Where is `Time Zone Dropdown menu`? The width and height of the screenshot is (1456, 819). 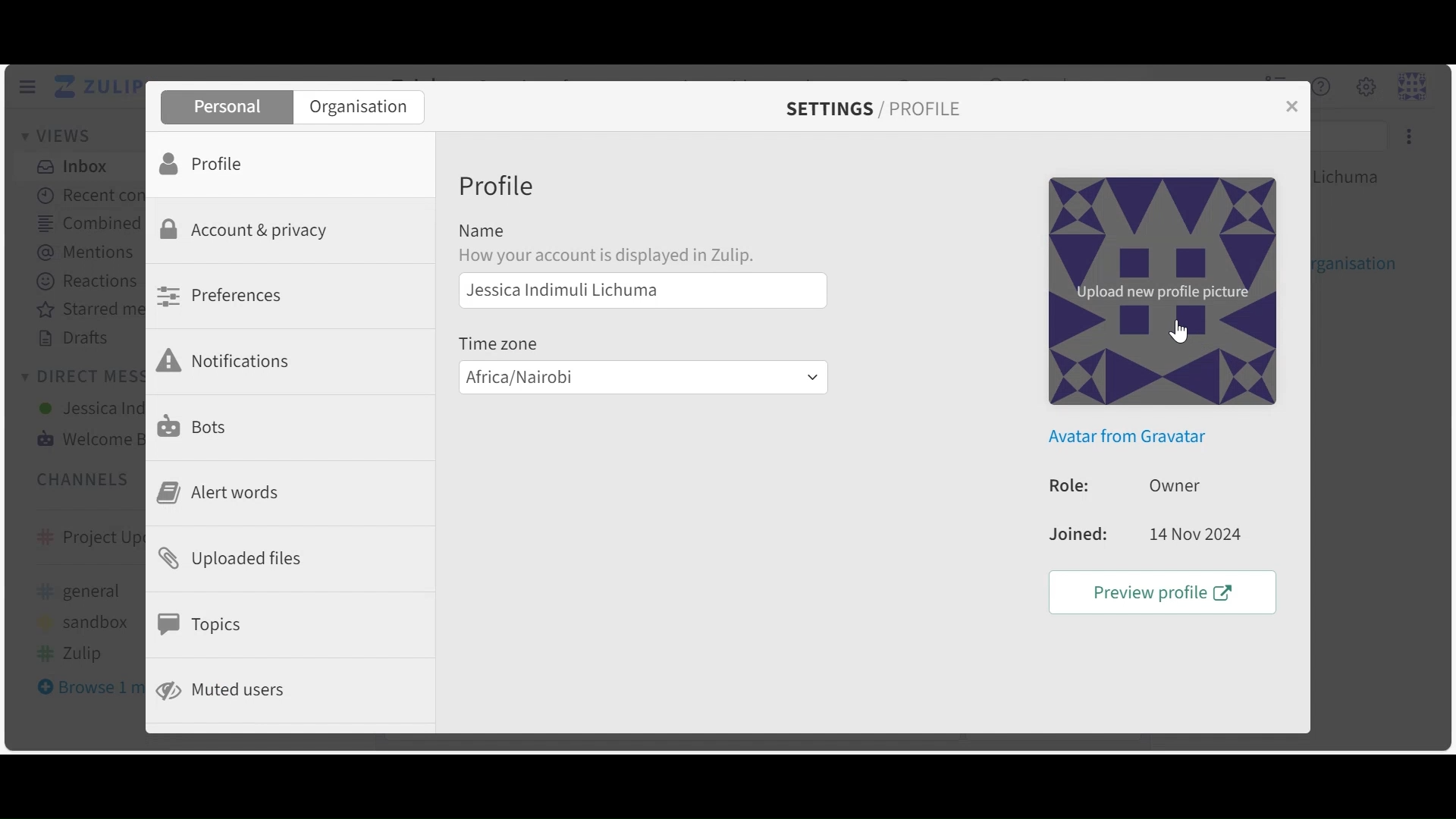 Time Zone Dropdown menu is located at coordinates (642, 375).